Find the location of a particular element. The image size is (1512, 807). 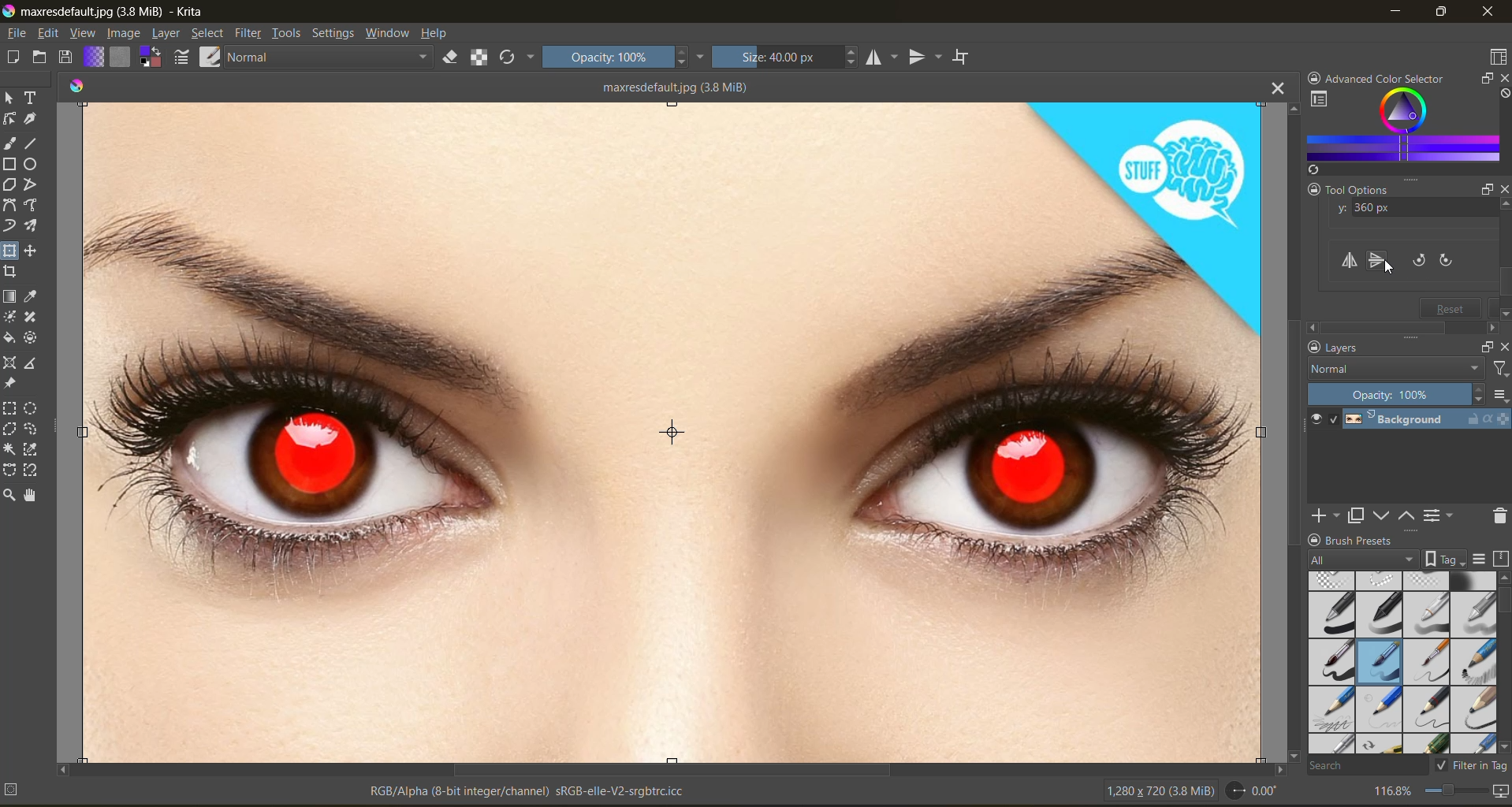

mask down is located at coordinates (1384, 515).